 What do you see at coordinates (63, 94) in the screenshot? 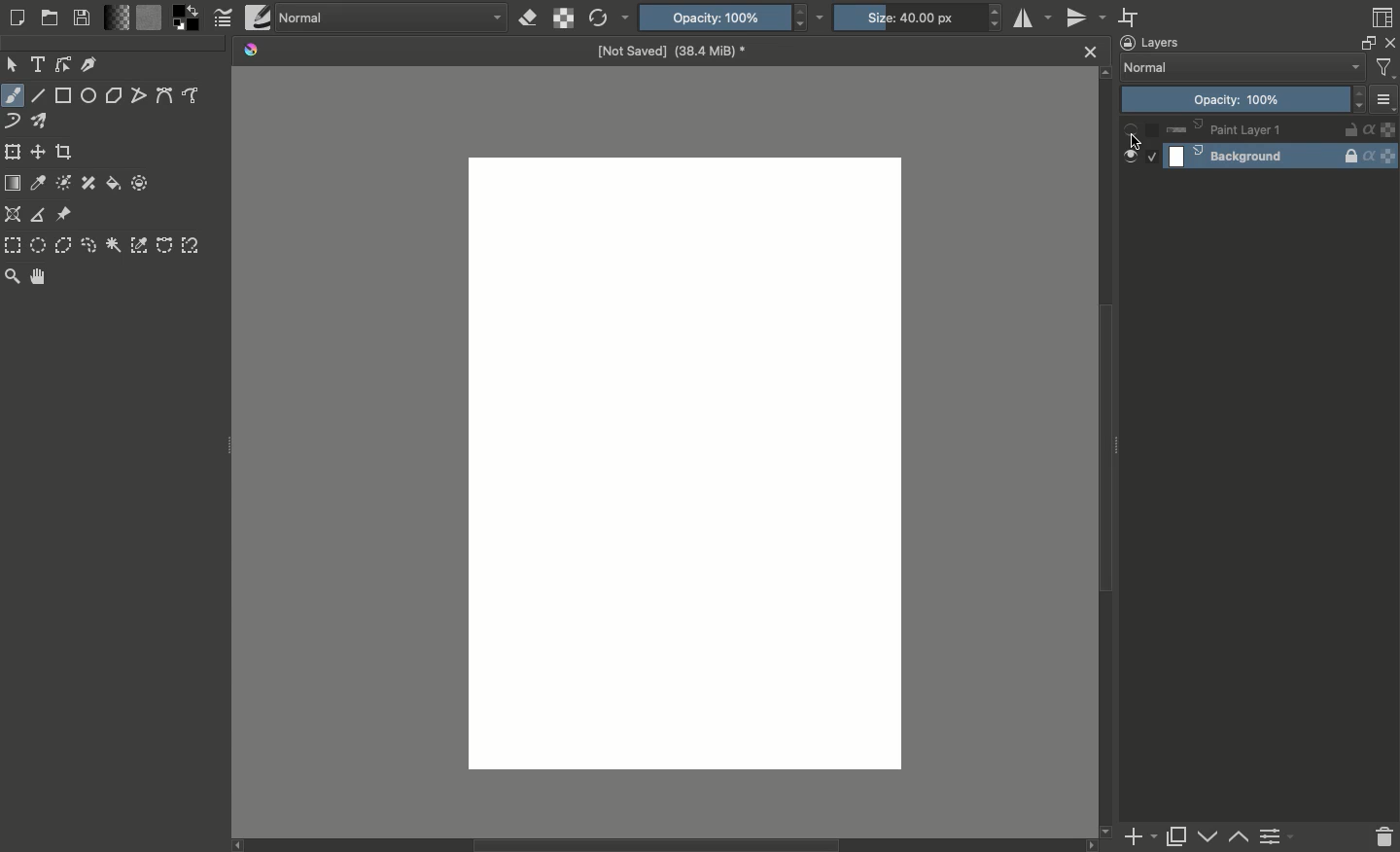
I see `Rectangle ` at bounding box center [63, 94].